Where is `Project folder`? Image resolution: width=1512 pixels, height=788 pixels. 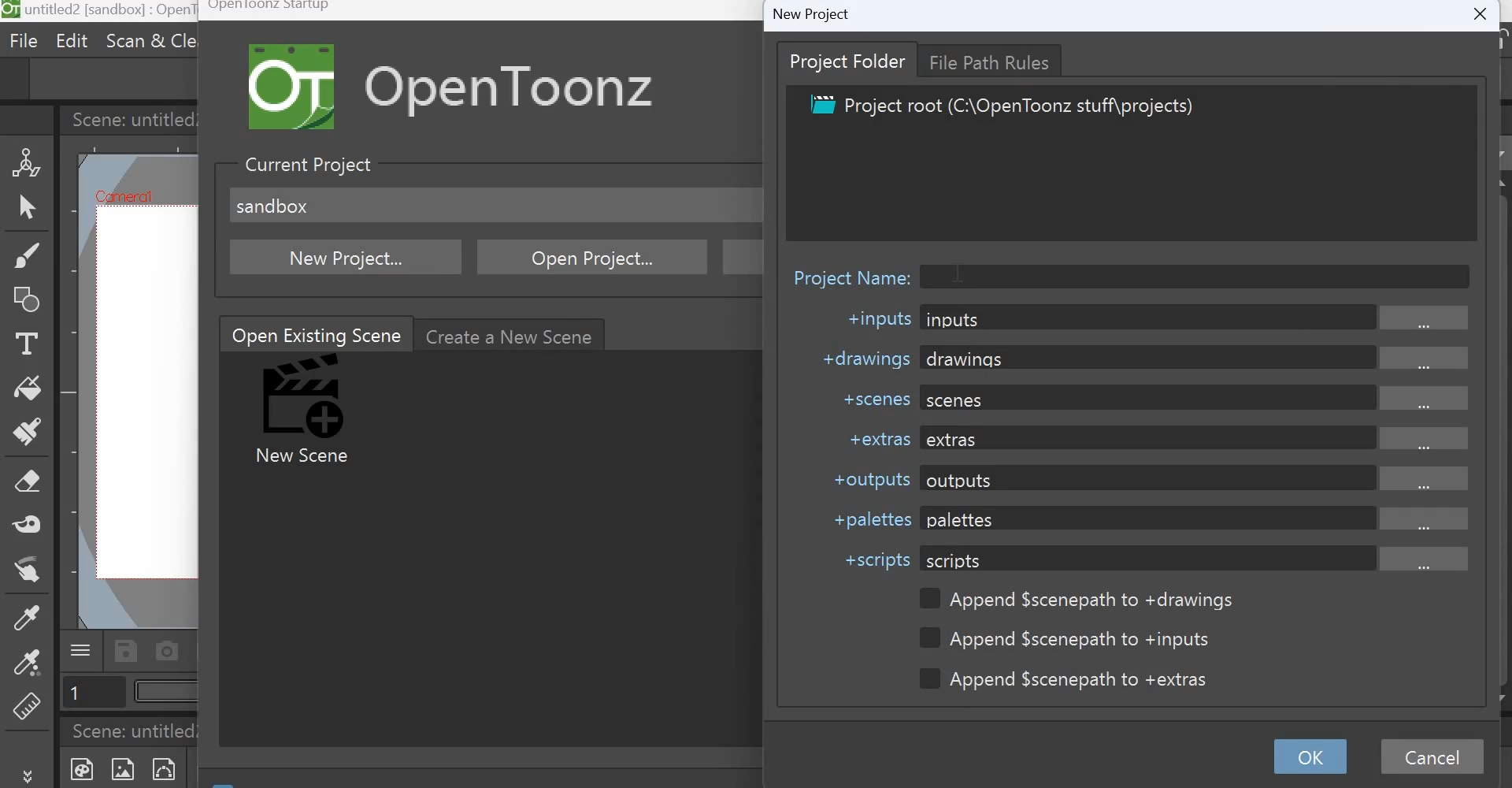
Project folder is located at coordinates (849, 61).